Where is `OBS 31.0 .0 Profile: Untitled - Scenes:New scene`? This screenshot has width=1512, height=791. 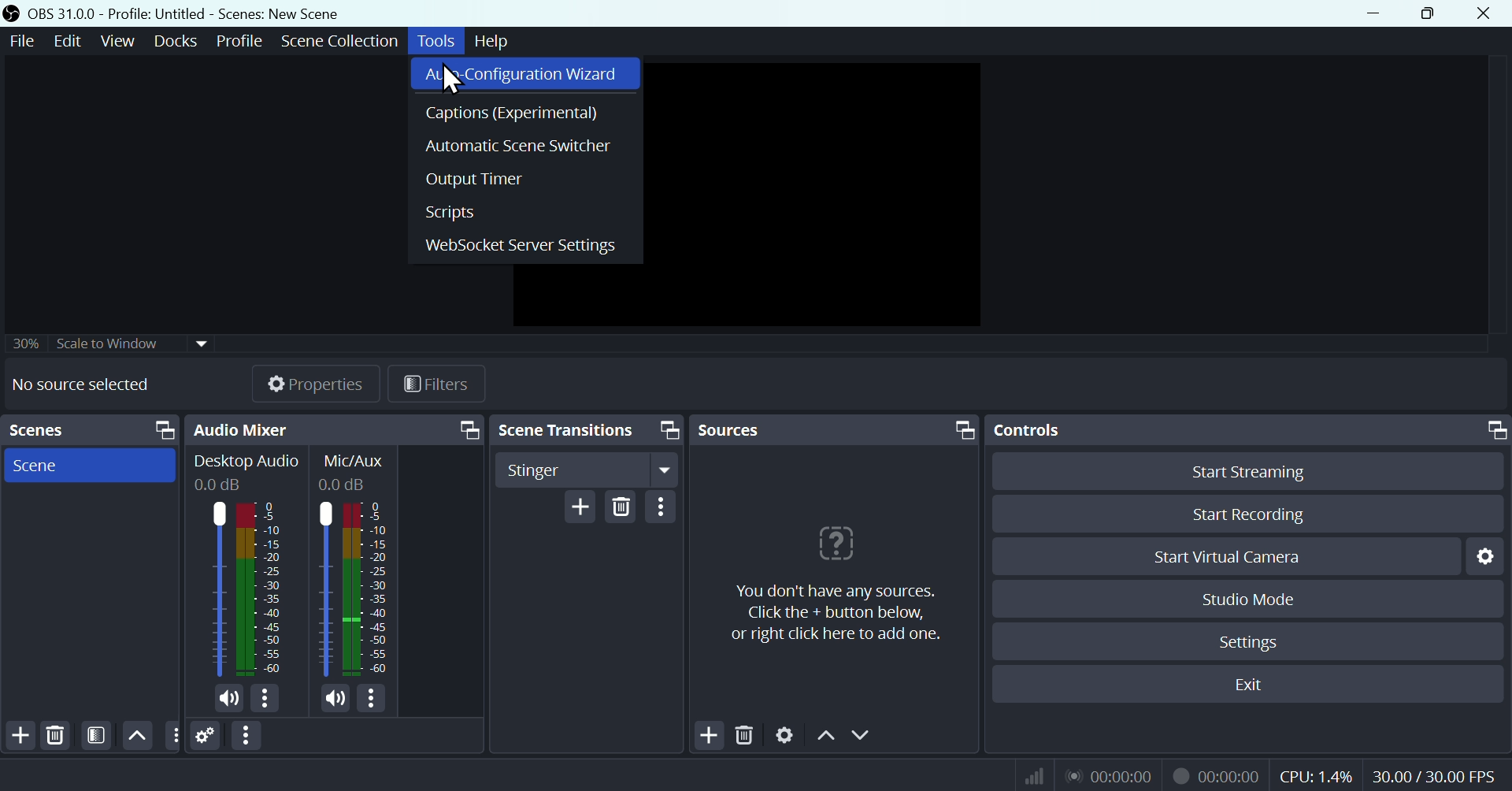 OBS 31.0 .0 Profile: Untitled - Scenes:New scene is located at coordinates (187, 13).